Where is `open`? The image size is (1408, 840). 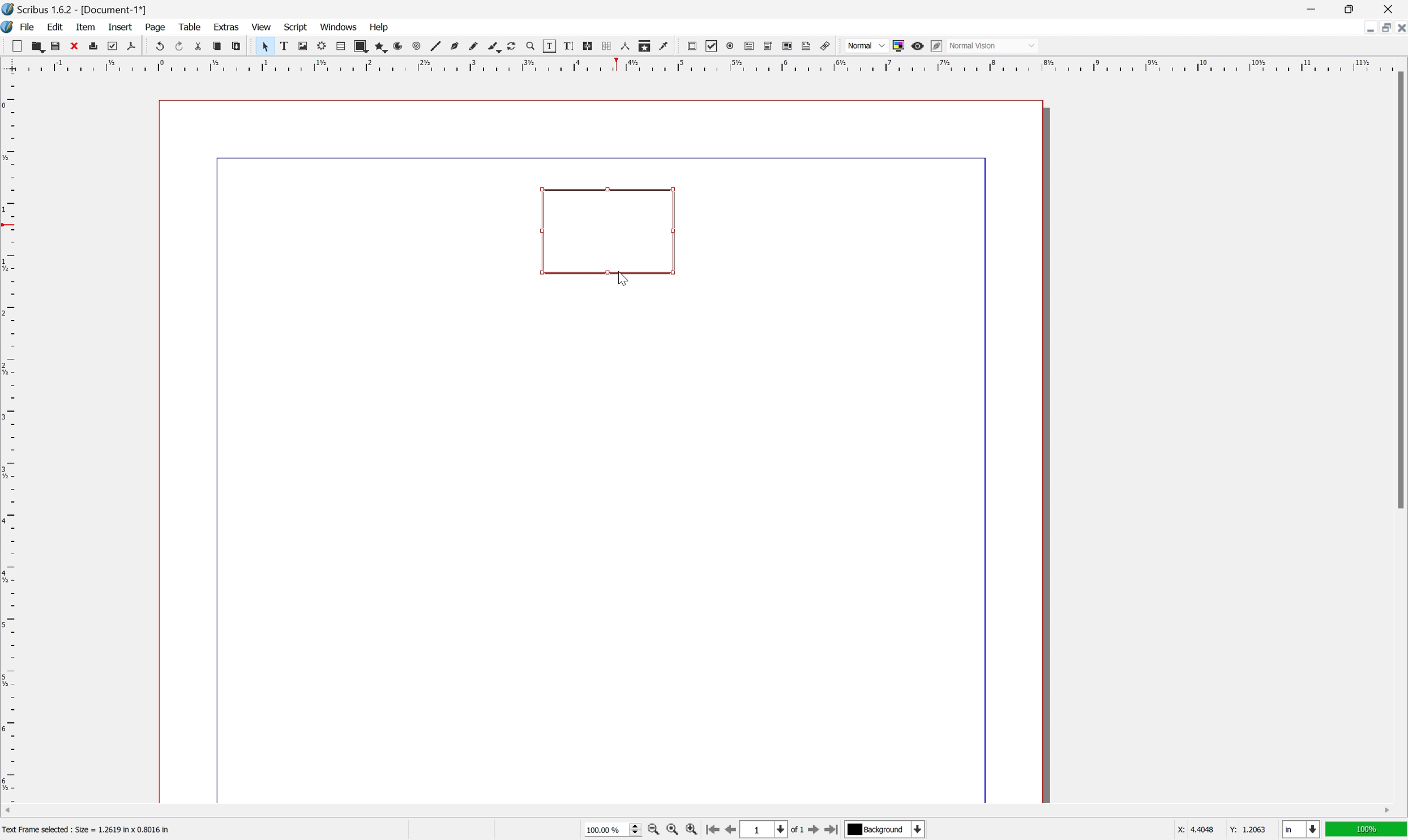
open is located at coordinates (38, 48).